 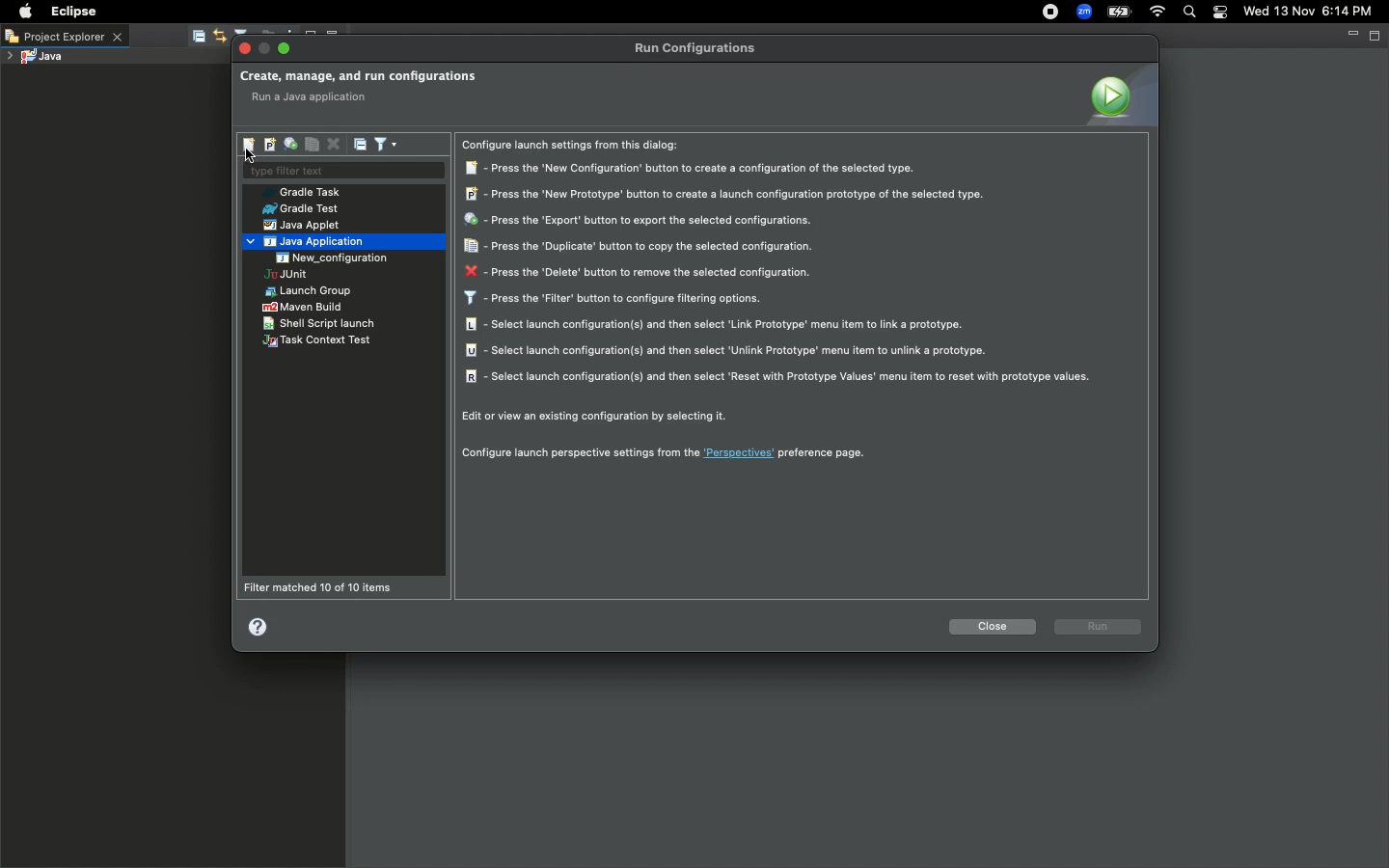 What do you see at coordinates (333, 146) in the screenshot?
I see `Delete selected launch configurations` at bounding box center [333, 146].